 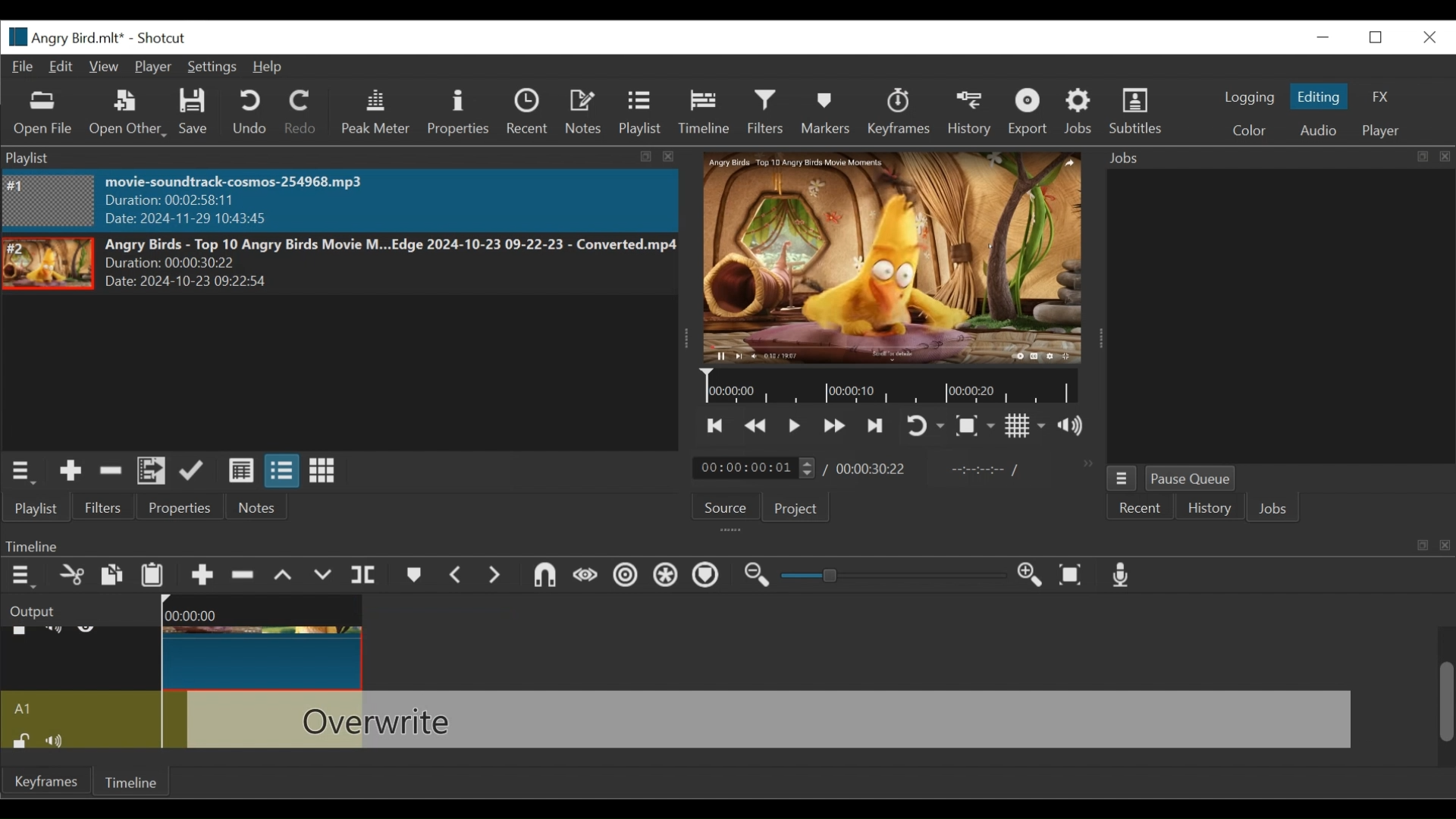 What do you see at coordinates (111, 472) in the screenshot?
I see `Remove cut` at bounding box center [111, 472].